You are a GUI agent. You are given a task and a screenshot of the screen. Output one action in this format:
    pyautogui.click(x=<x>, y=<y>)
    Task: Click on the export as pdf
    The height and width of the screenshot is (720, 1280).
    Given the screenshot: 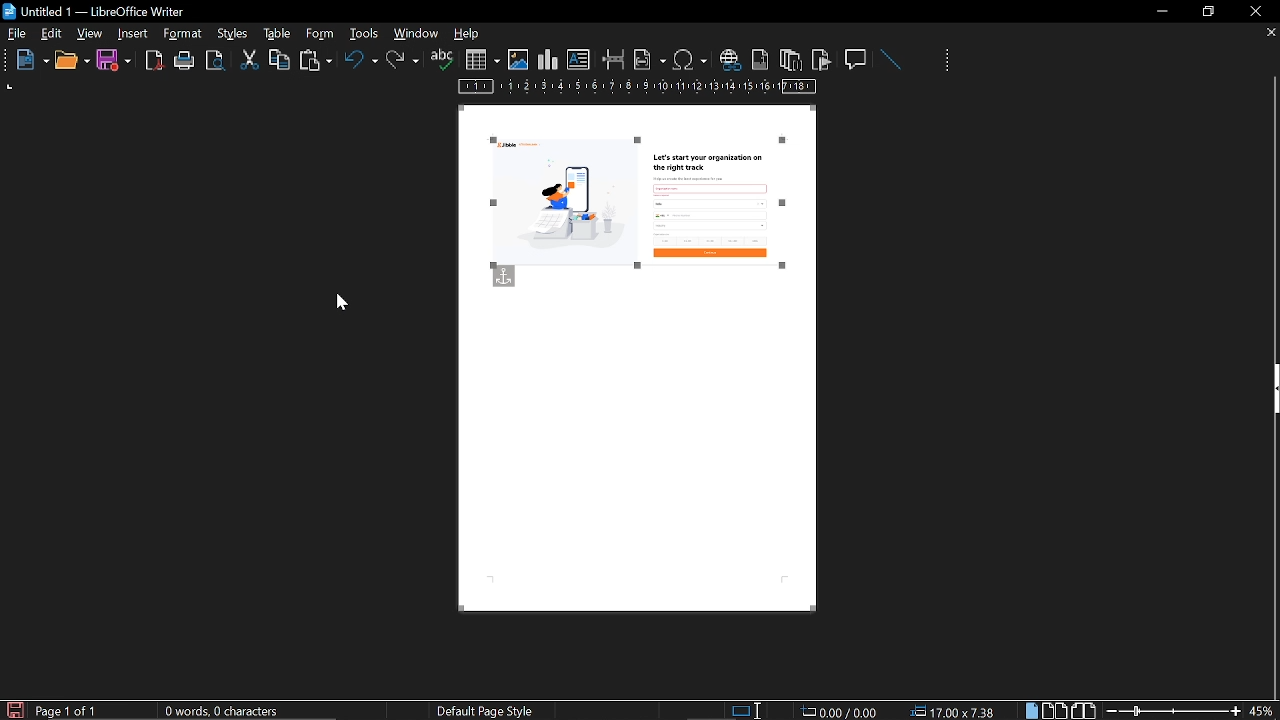 What is the action you would take?
    pyautogui.click(x=155, y=61)
    